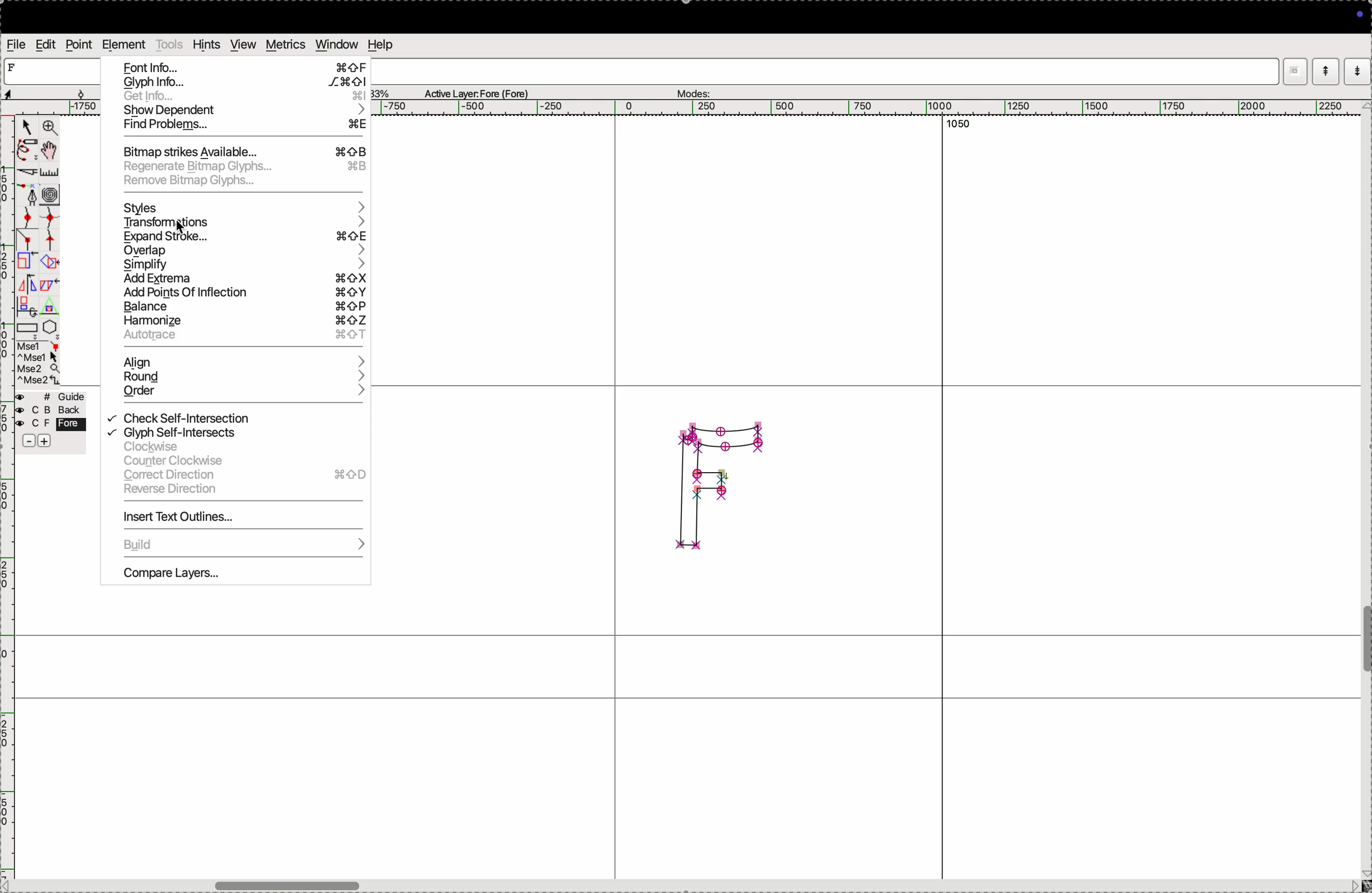 This screenshot has width=1372, height=893. What do you see at coordinates (1324, 71) in the screenshot?
I see `mode up` at bounding box center [1324, 71].